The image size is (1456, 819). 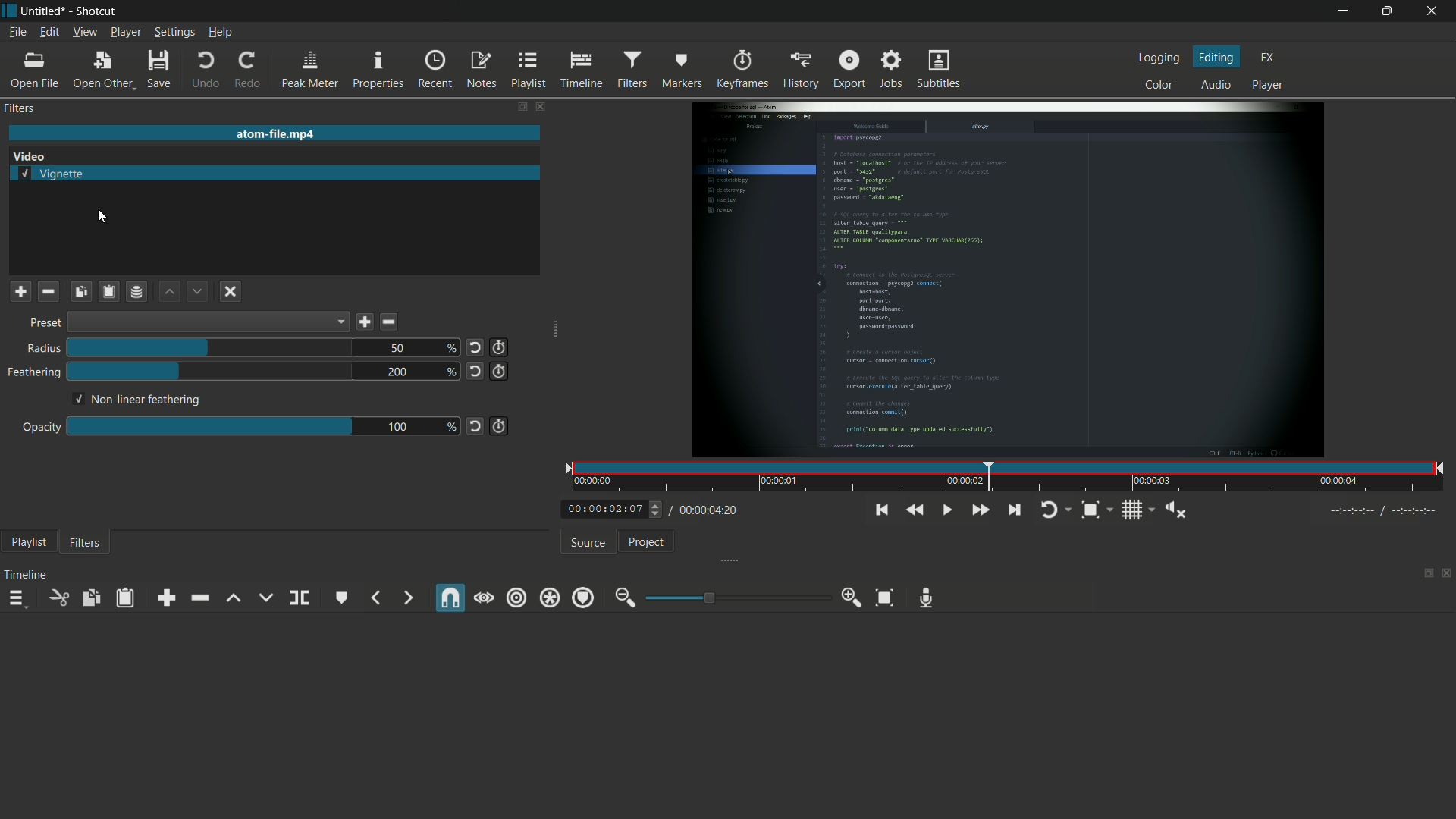 What do you see at coordinates (52, 173) in the screenshot?
I see `Vignette` at bounding box center [52, 173].